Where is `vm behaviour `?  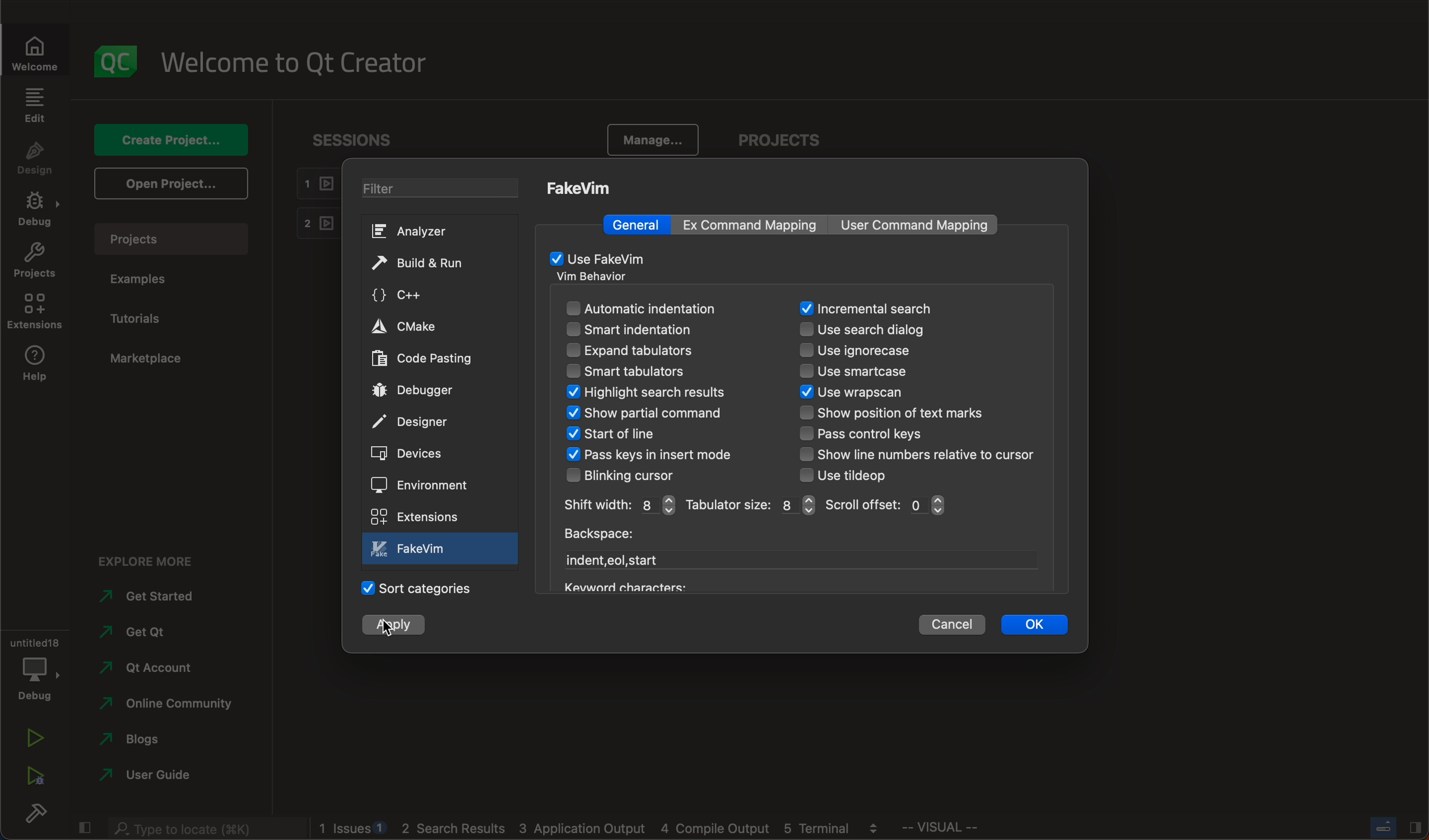 vm behaviour  is located at coordinates (598, 278).